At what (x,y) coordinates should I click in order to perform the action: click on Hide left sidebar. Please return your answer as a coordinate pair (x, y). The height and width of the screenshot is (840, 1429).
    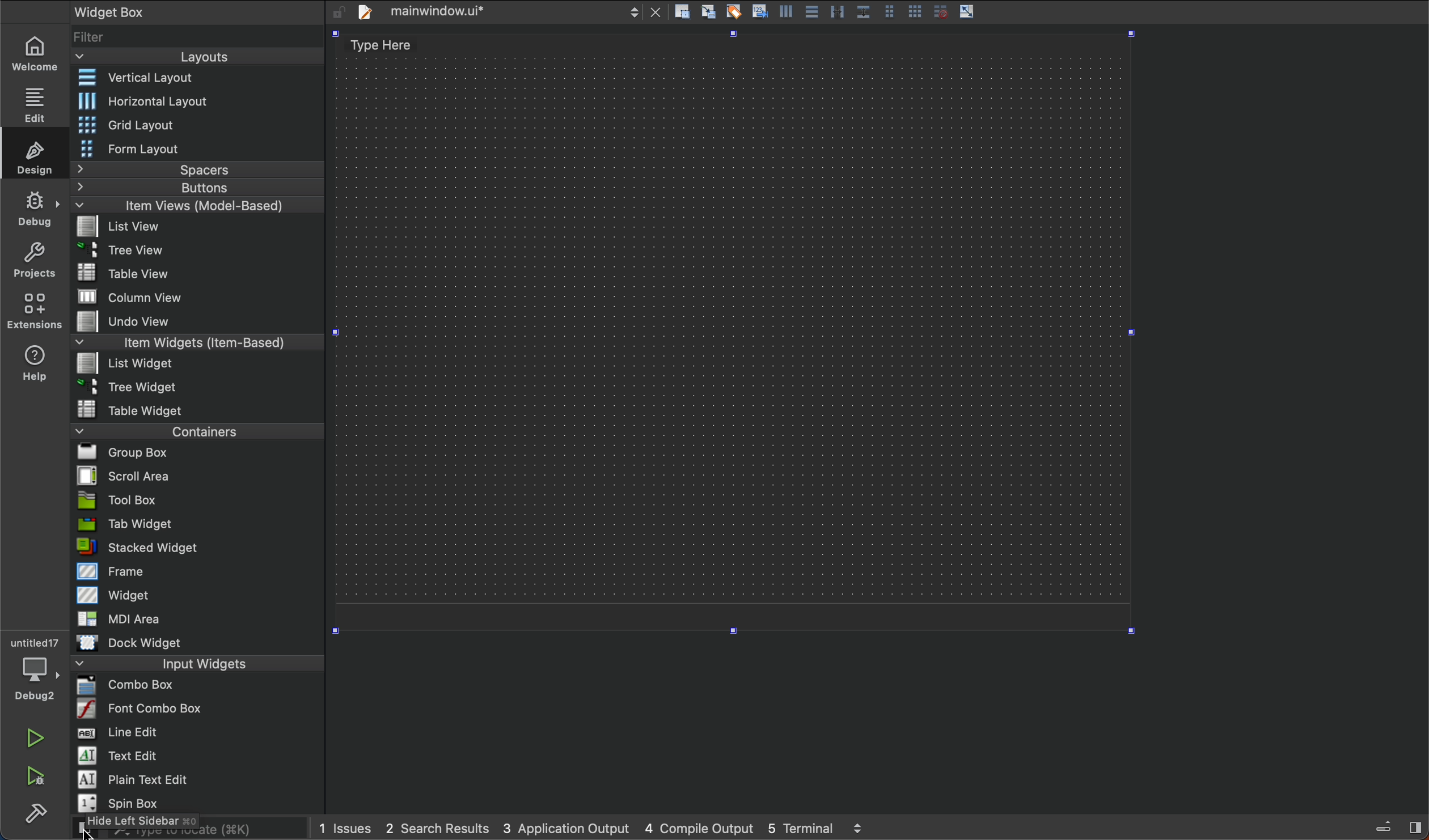
    Looking at the image, I should click on (135, 822).